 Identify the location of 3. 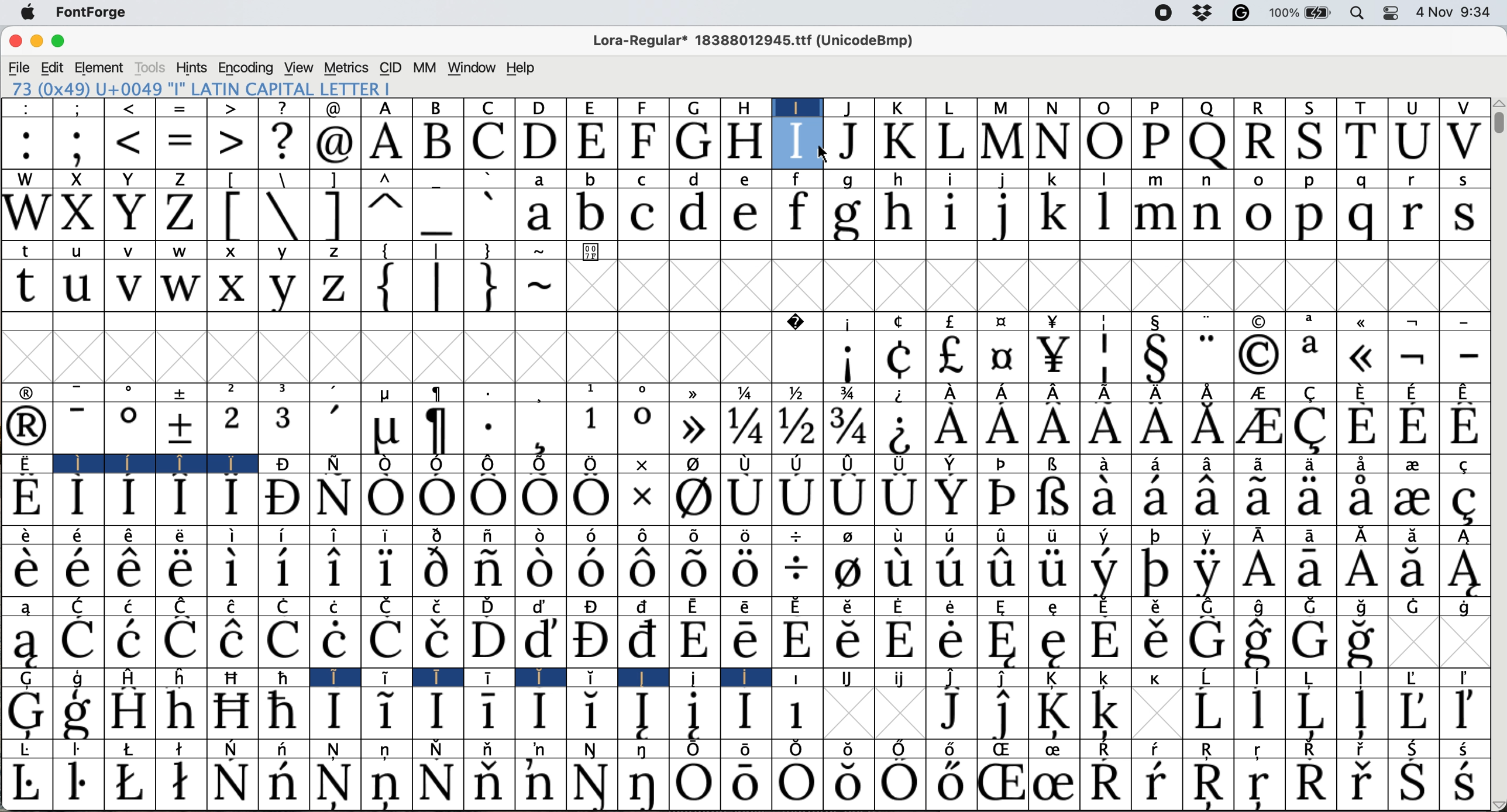
(285, 391).